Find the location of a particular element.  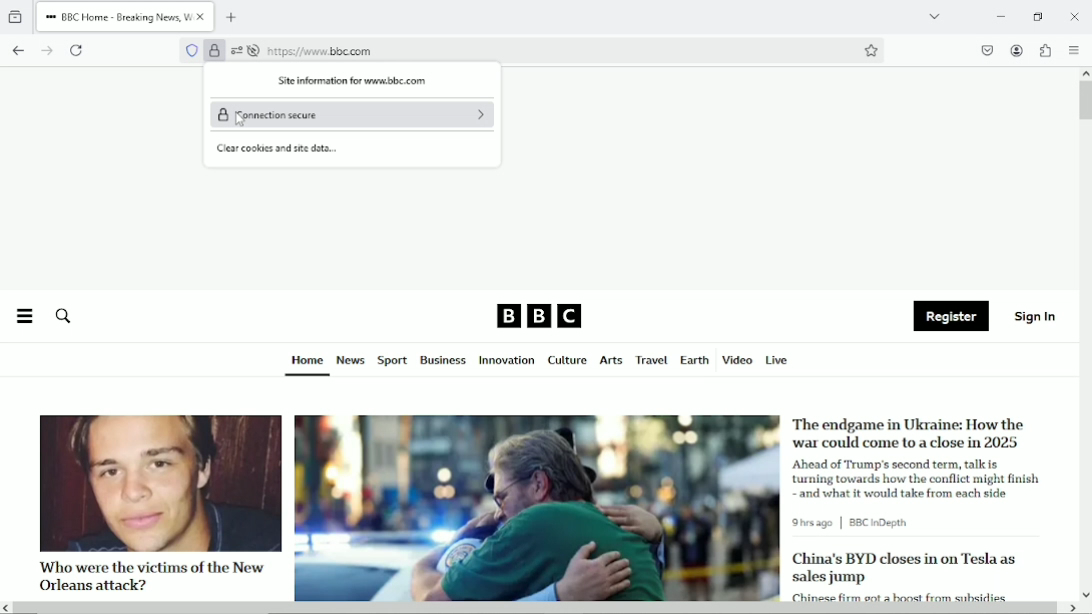

Sport is located at coordinates (392, 361).